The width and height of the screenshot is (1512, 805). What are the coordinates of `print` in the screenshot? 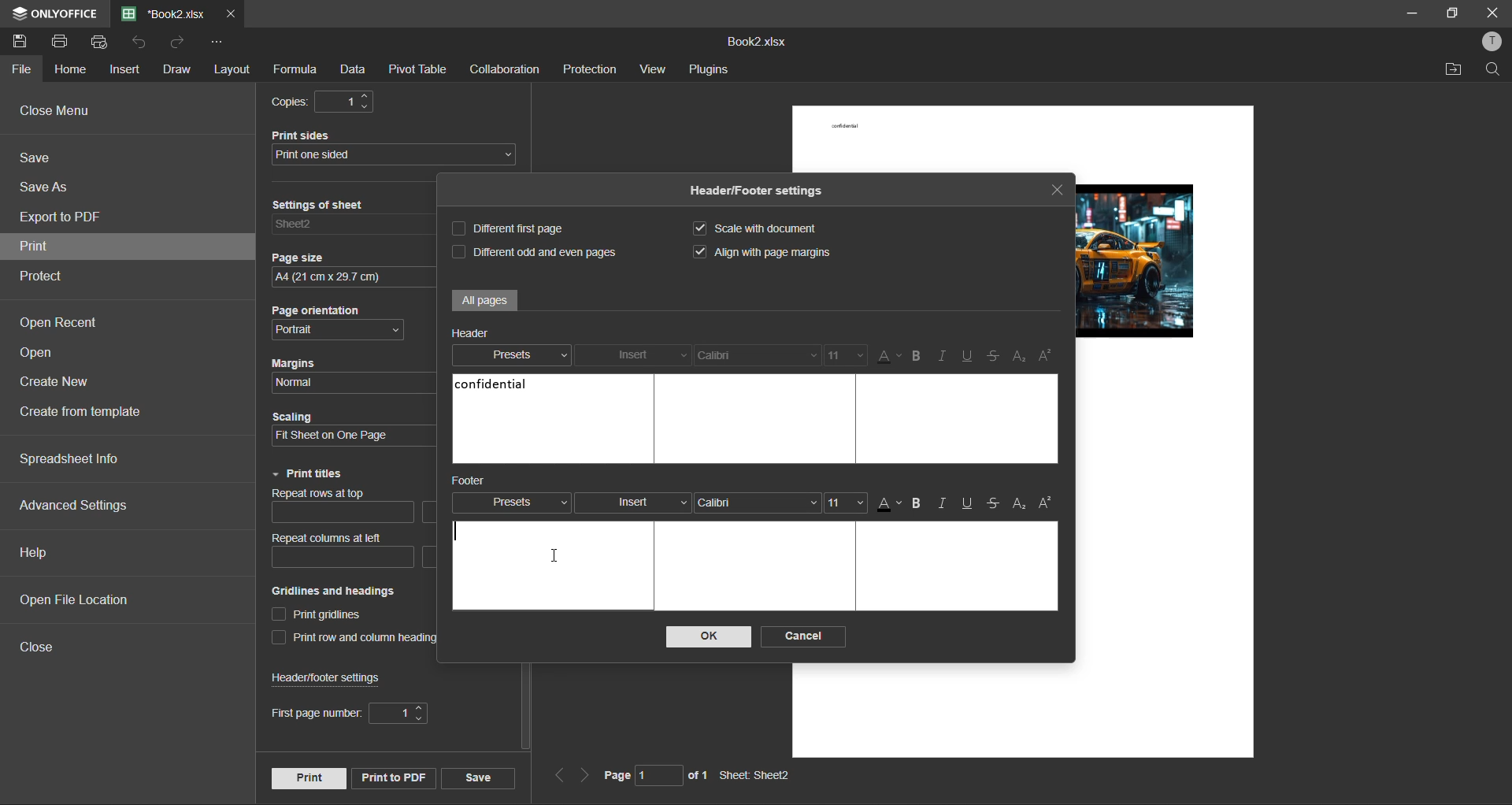 It's located at (34, 247).